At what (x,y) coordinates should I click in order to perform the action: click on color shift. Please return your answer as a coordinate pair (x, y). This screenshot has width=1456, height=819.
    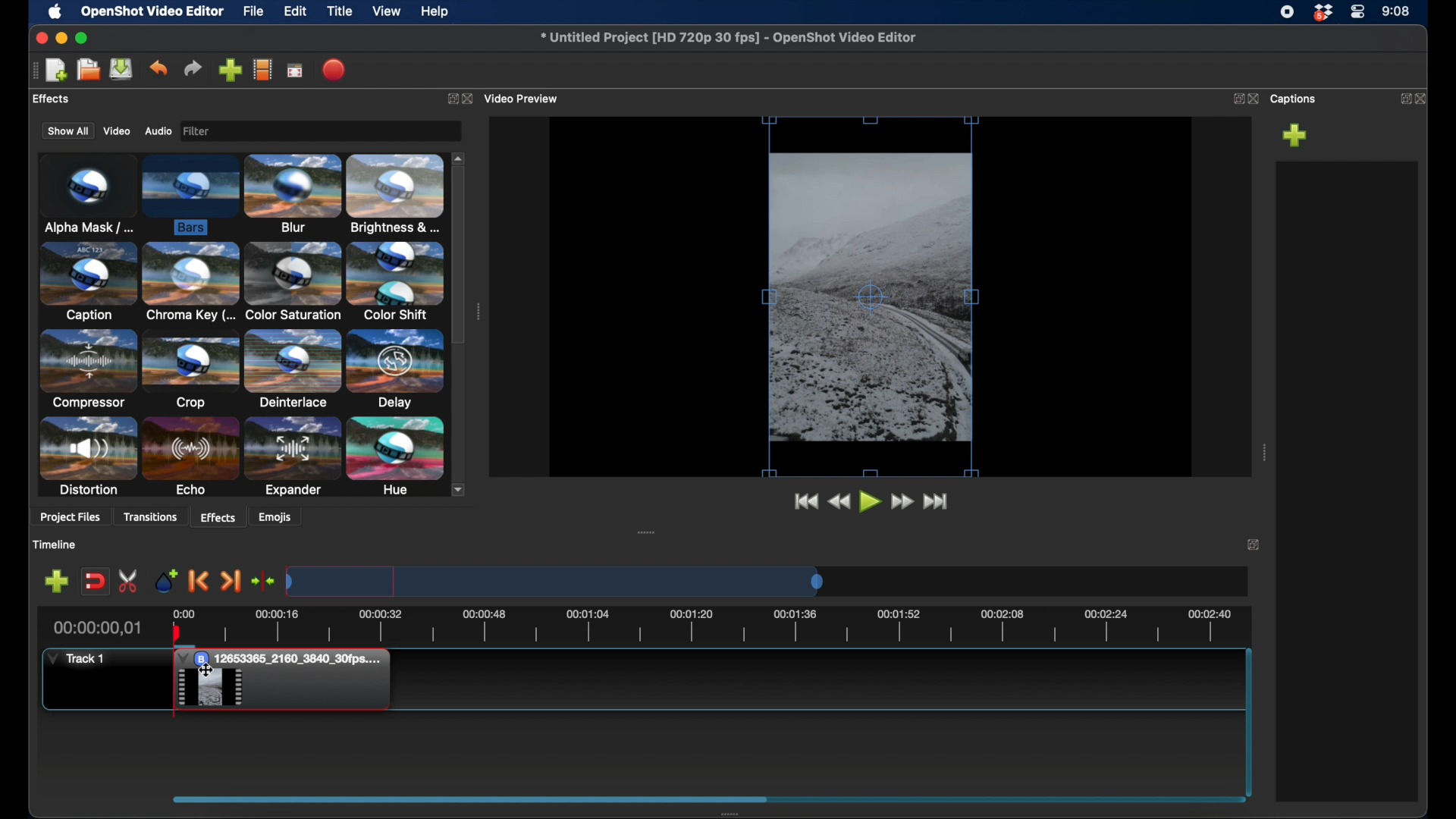
    Looking at the image, I should click on (397, 281).